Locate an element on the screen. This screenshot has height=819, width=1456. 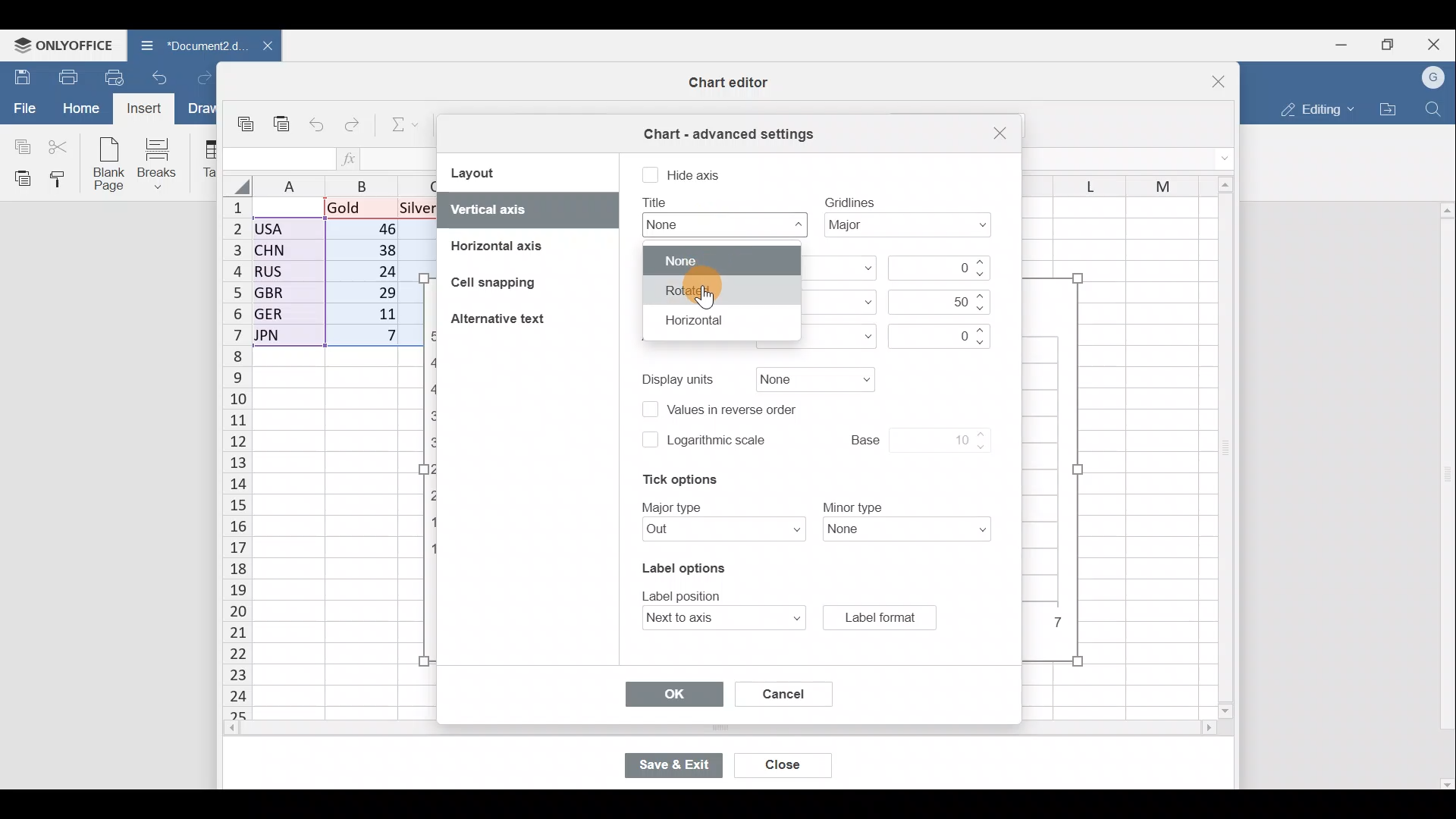
Axis crosses value is located at coordinates (942, 336).